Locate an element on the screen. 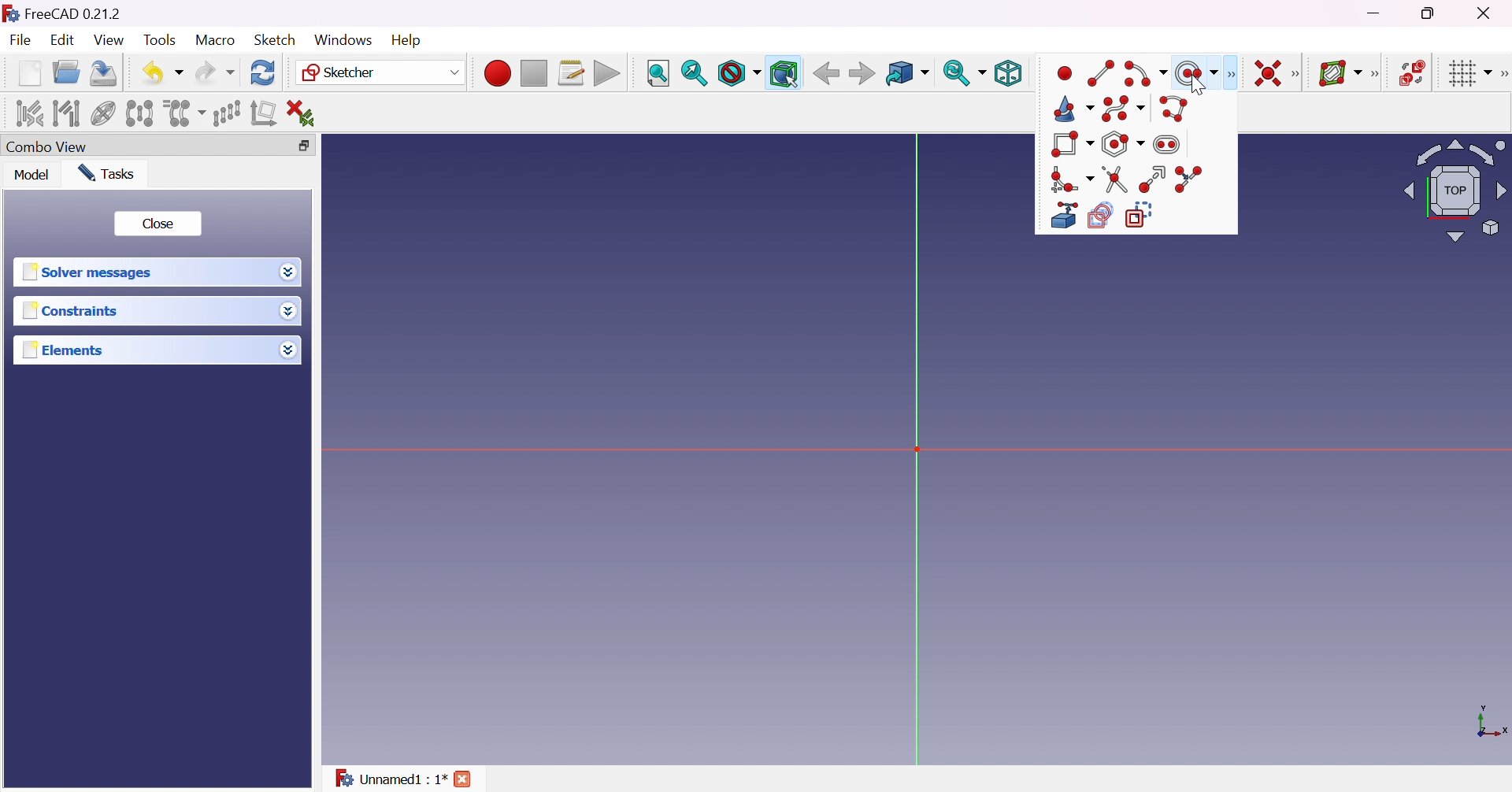  Redo is located at coordinates (215, 72).